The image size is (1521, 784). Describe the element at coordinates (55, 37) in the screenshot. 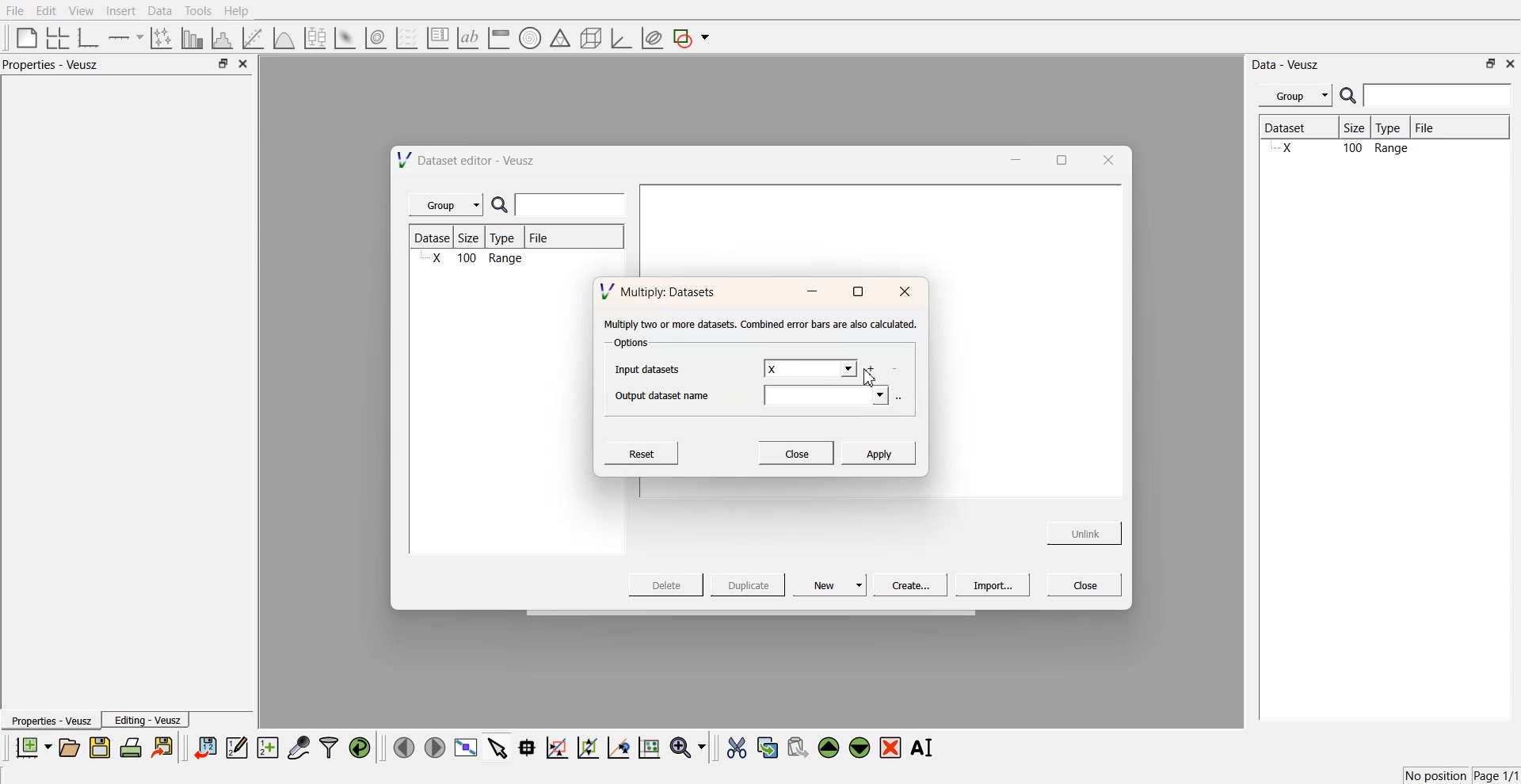

I see `arrange graphs` at that location.